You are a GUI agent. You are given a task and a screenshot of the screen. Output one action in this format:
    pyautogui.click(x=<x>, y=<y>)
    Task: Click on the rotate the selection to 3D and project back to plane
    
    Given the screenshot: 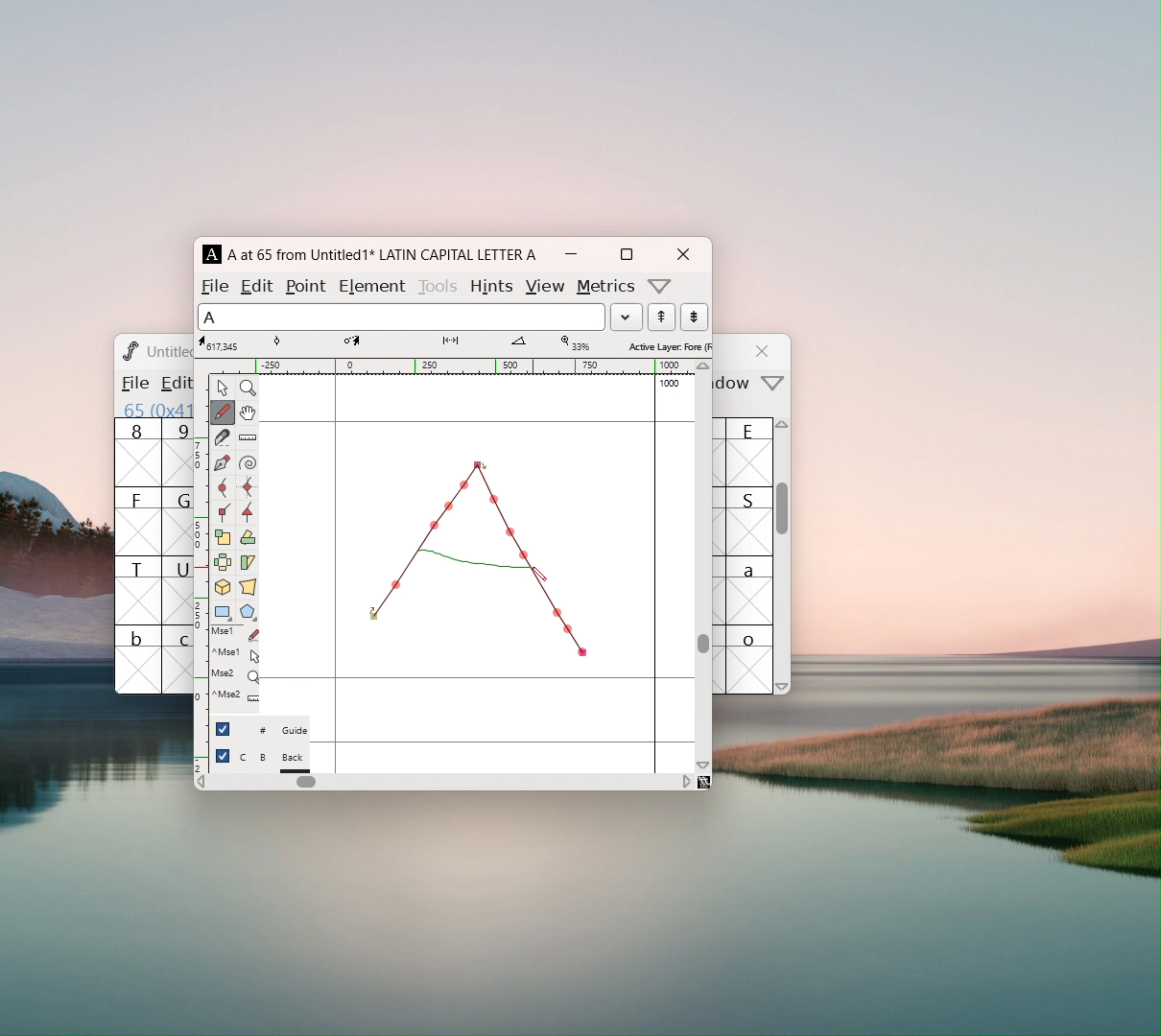 What is the action you would take?
    pyautogui.click(x=223, y=589)
    